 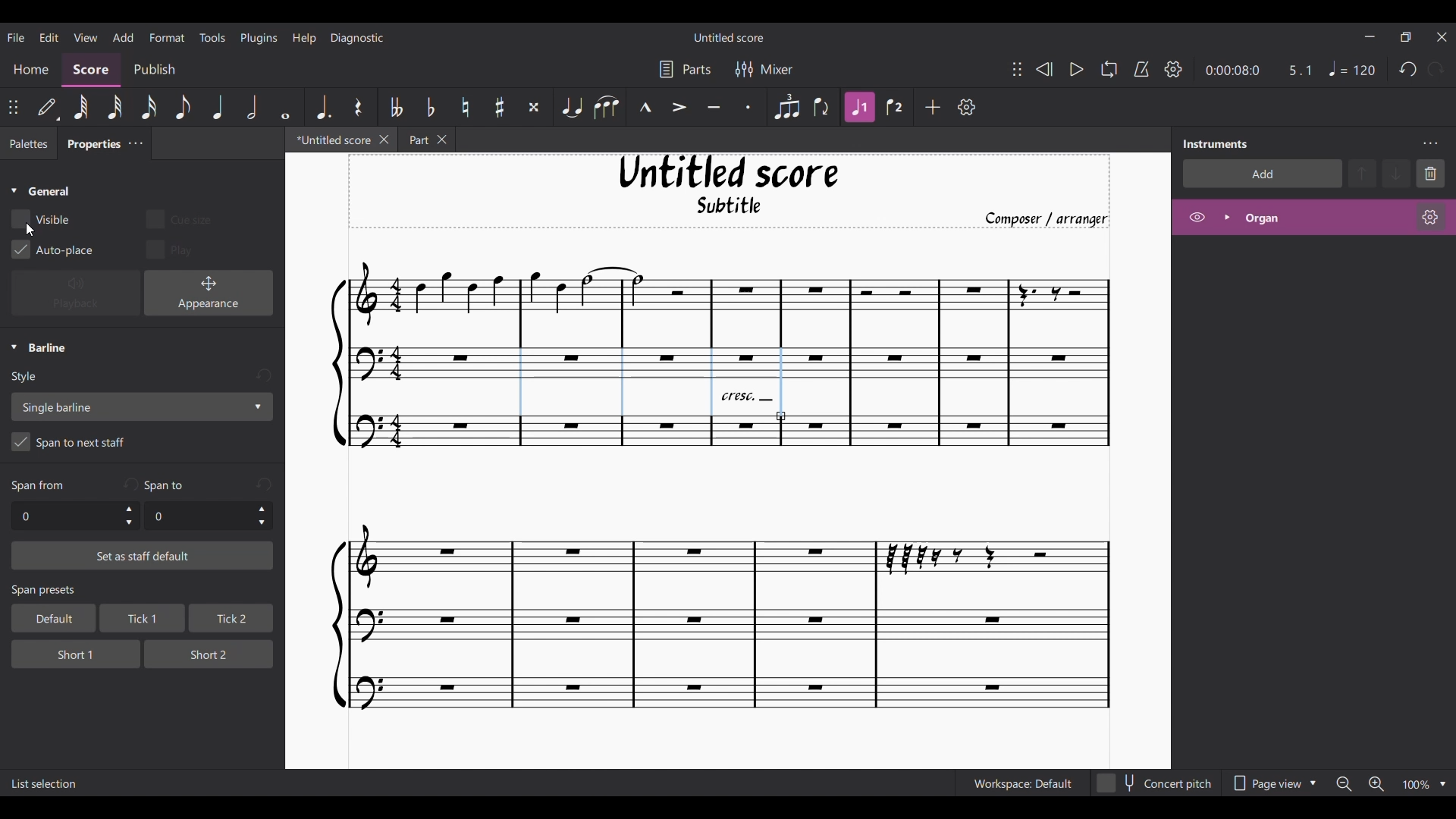 What do you see at coordinates (130, 484) in the screenshot?
I see `Undo input made` at bounding box center [130, 484].